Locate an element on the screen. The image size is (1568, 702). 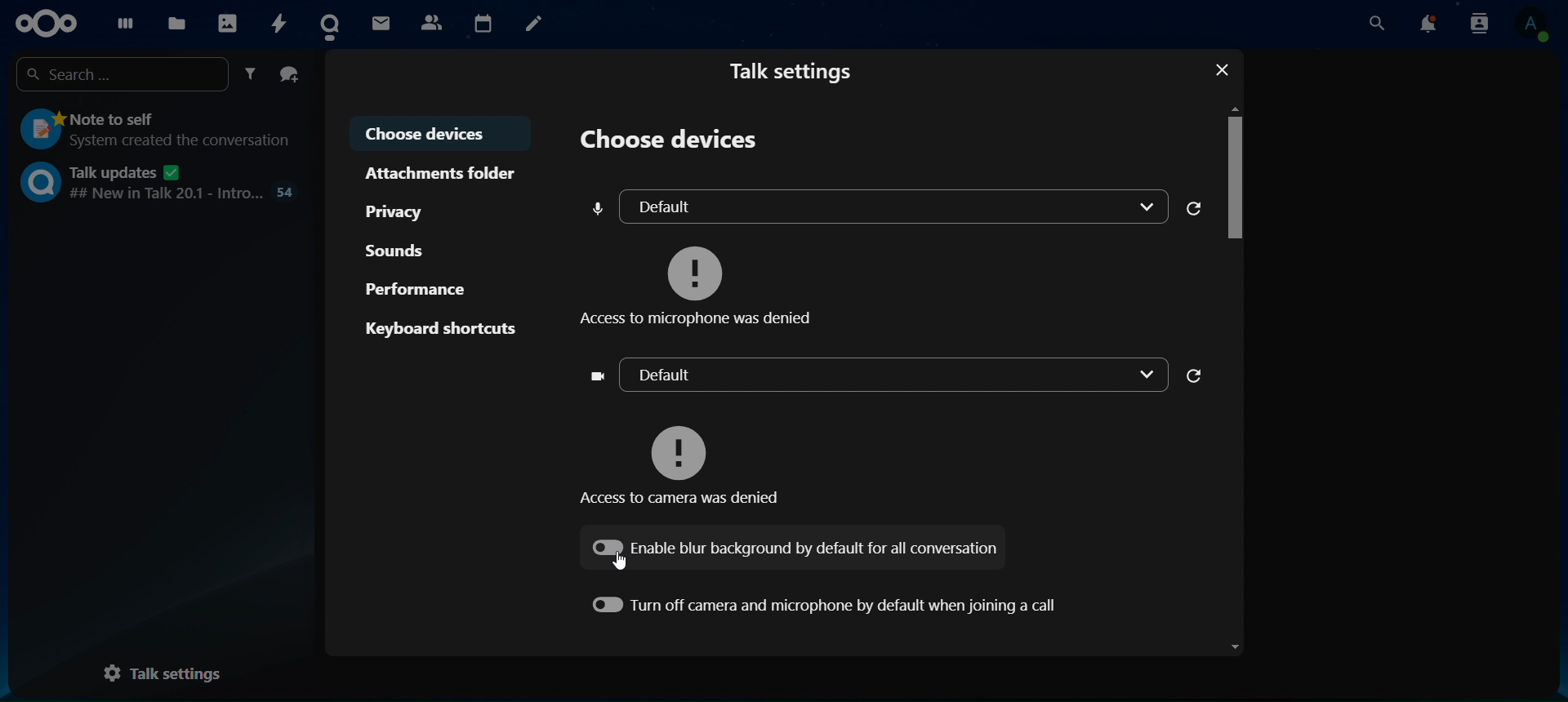
filter is located at coordinates (250, 73).